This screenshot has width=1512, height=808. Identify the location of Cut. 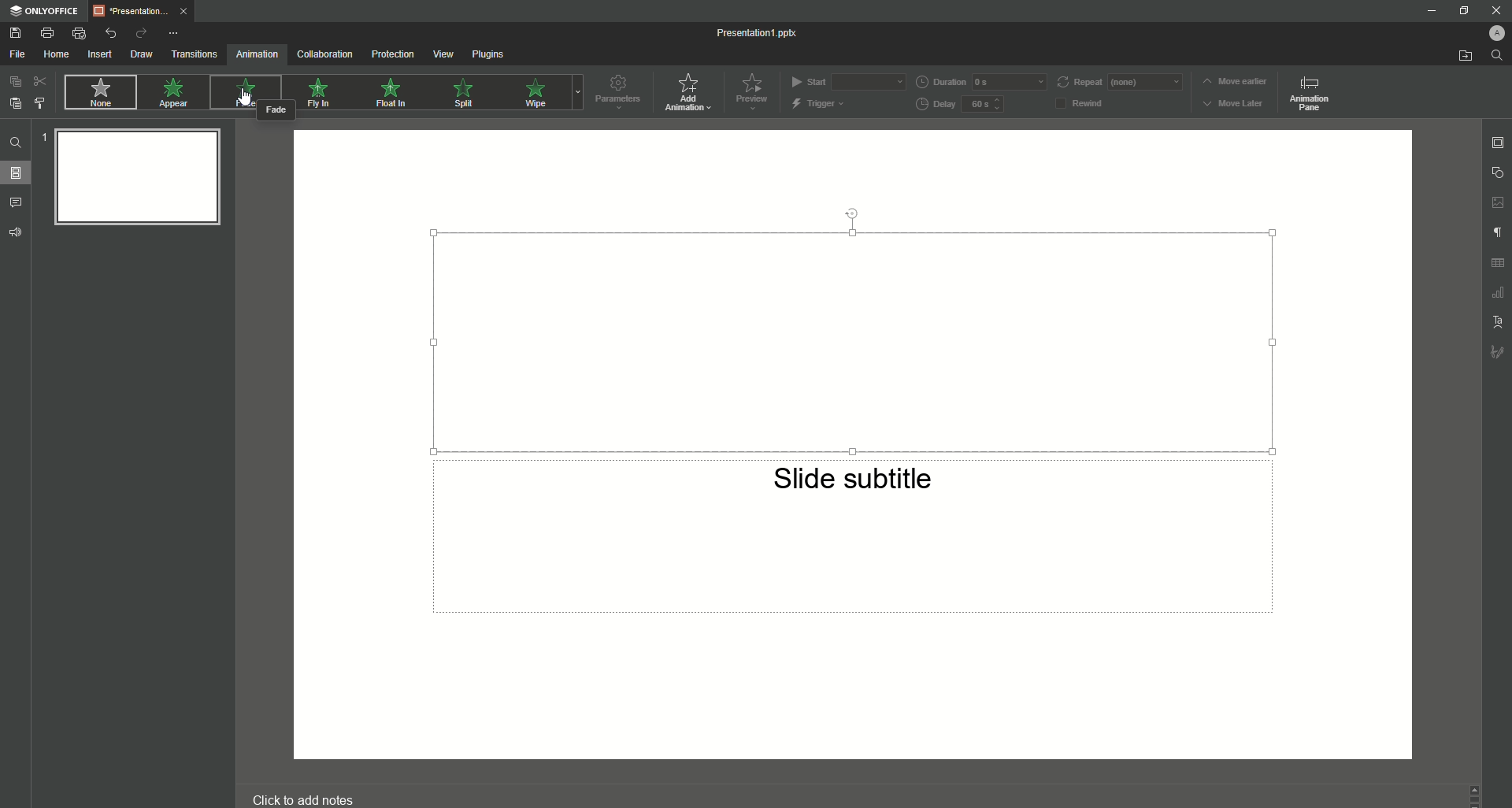
(37, 82).